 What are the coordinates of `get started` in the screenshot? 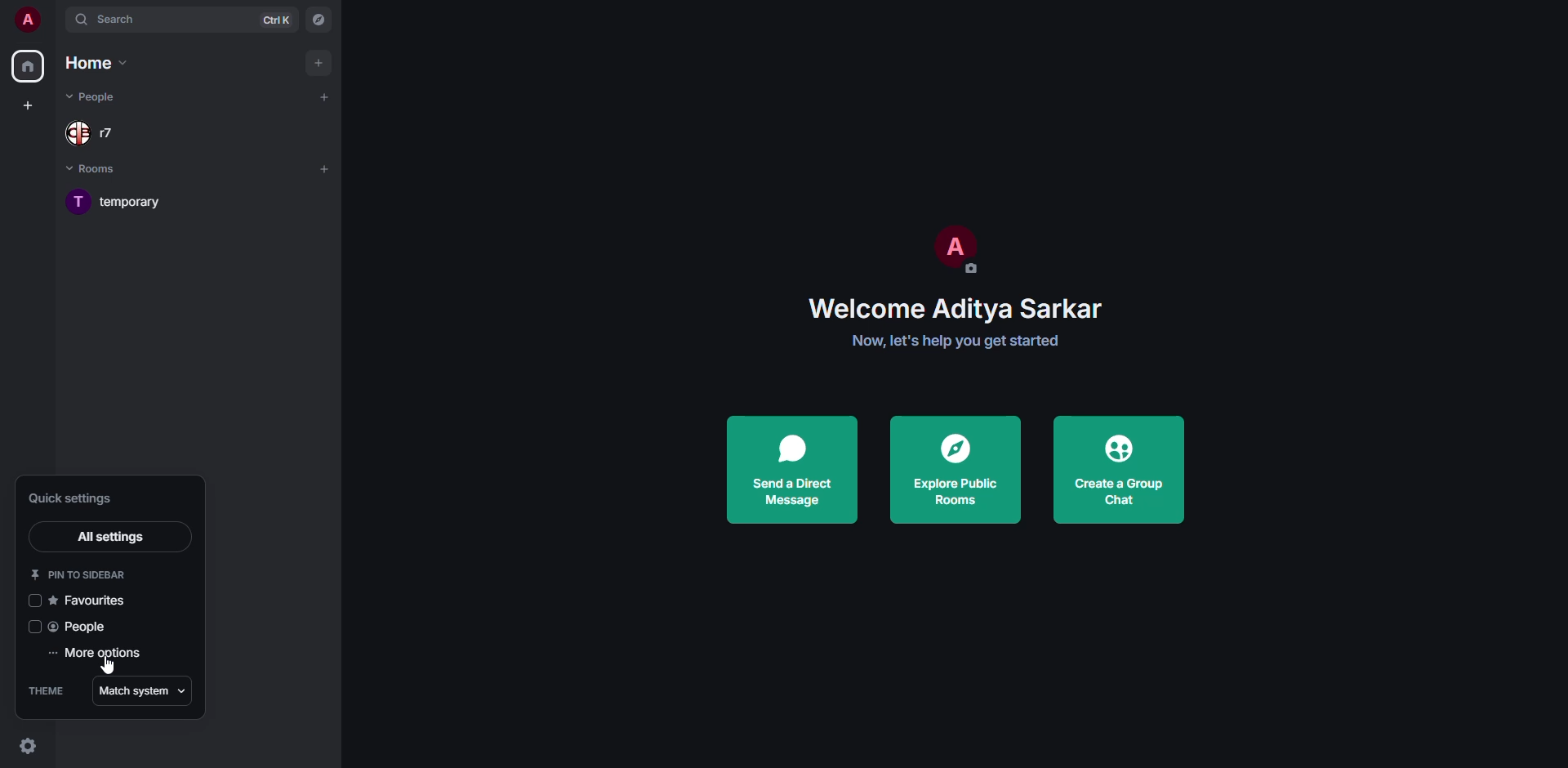 It's located at (957, 340).